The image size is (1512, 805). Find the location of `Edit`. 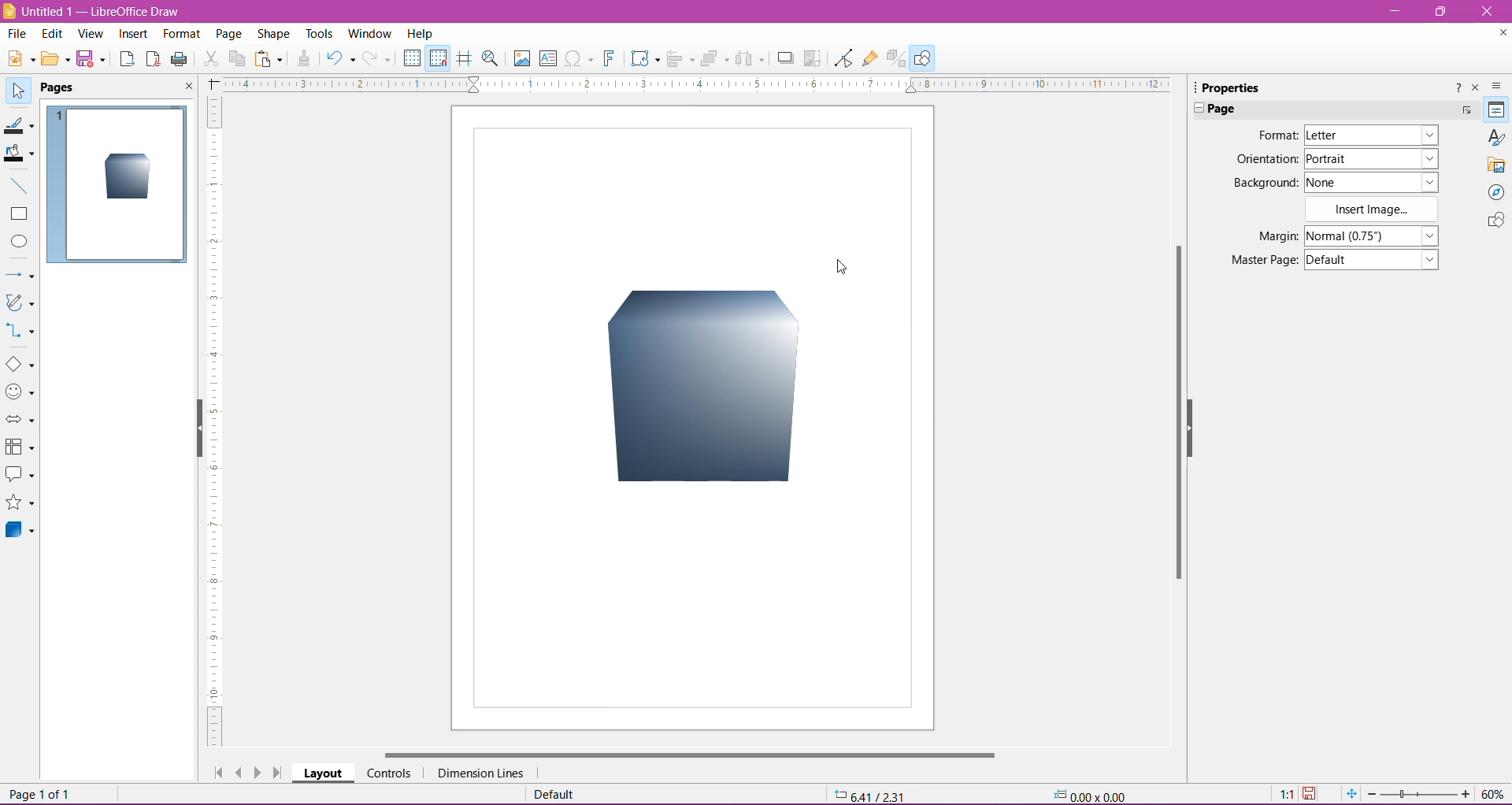

Edit is located at coordinates (54, 34).